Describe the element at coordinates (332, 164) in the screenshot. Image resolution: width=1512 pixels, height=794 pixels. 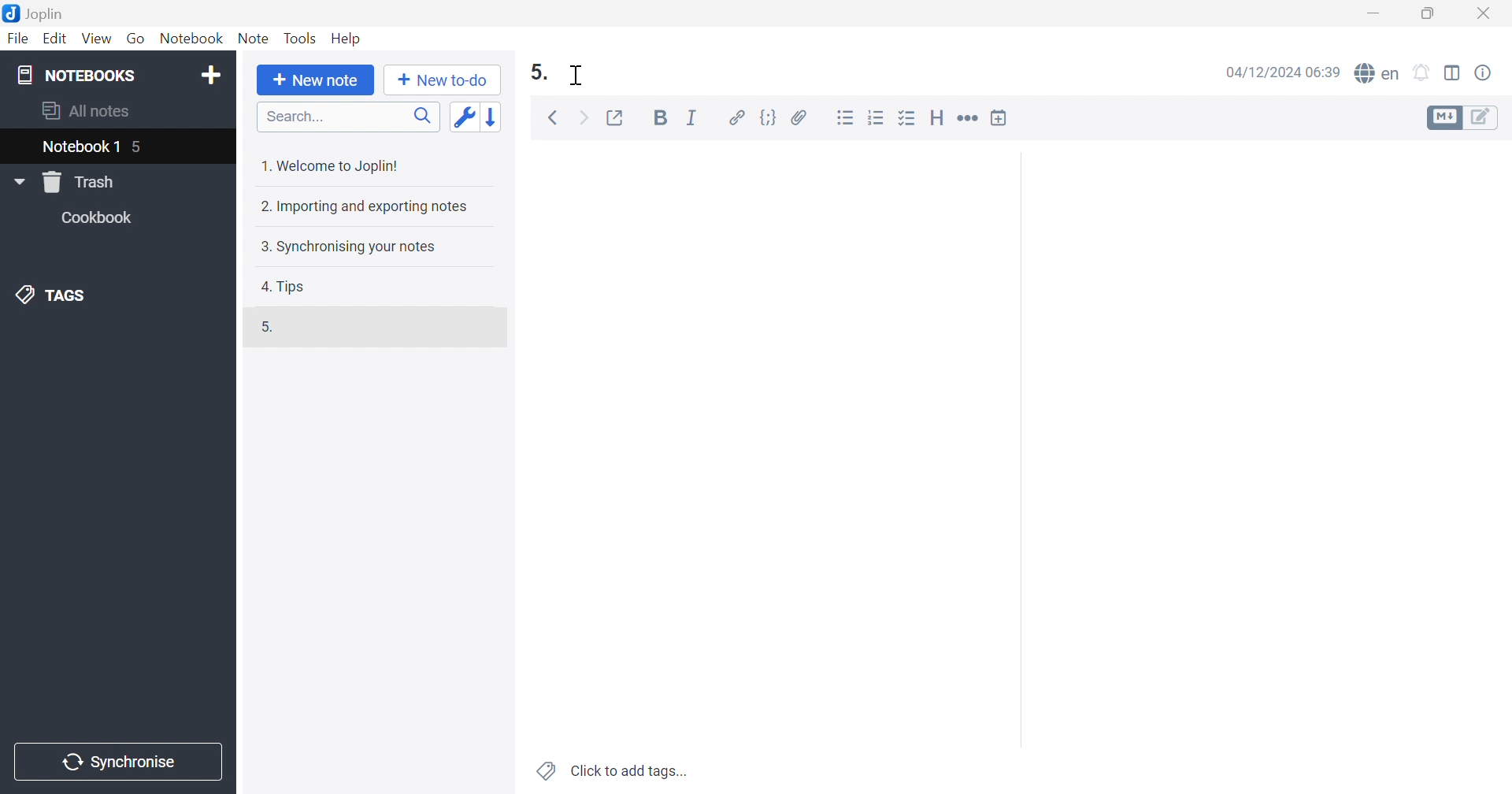
I see `1. Welcome to Joplin!` at that location.